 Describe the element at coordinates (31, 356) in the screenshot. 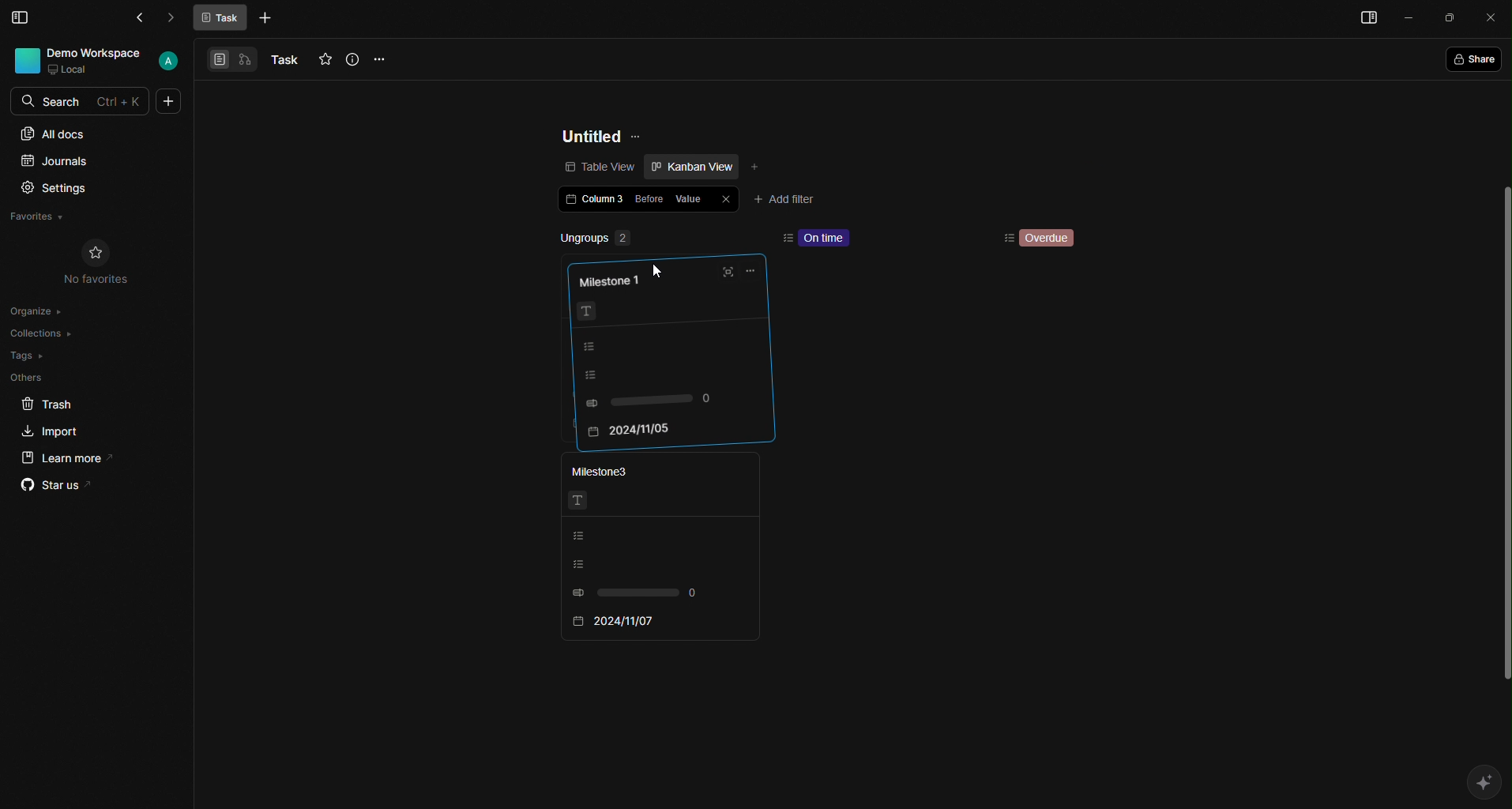

I see `Tags` at that location.